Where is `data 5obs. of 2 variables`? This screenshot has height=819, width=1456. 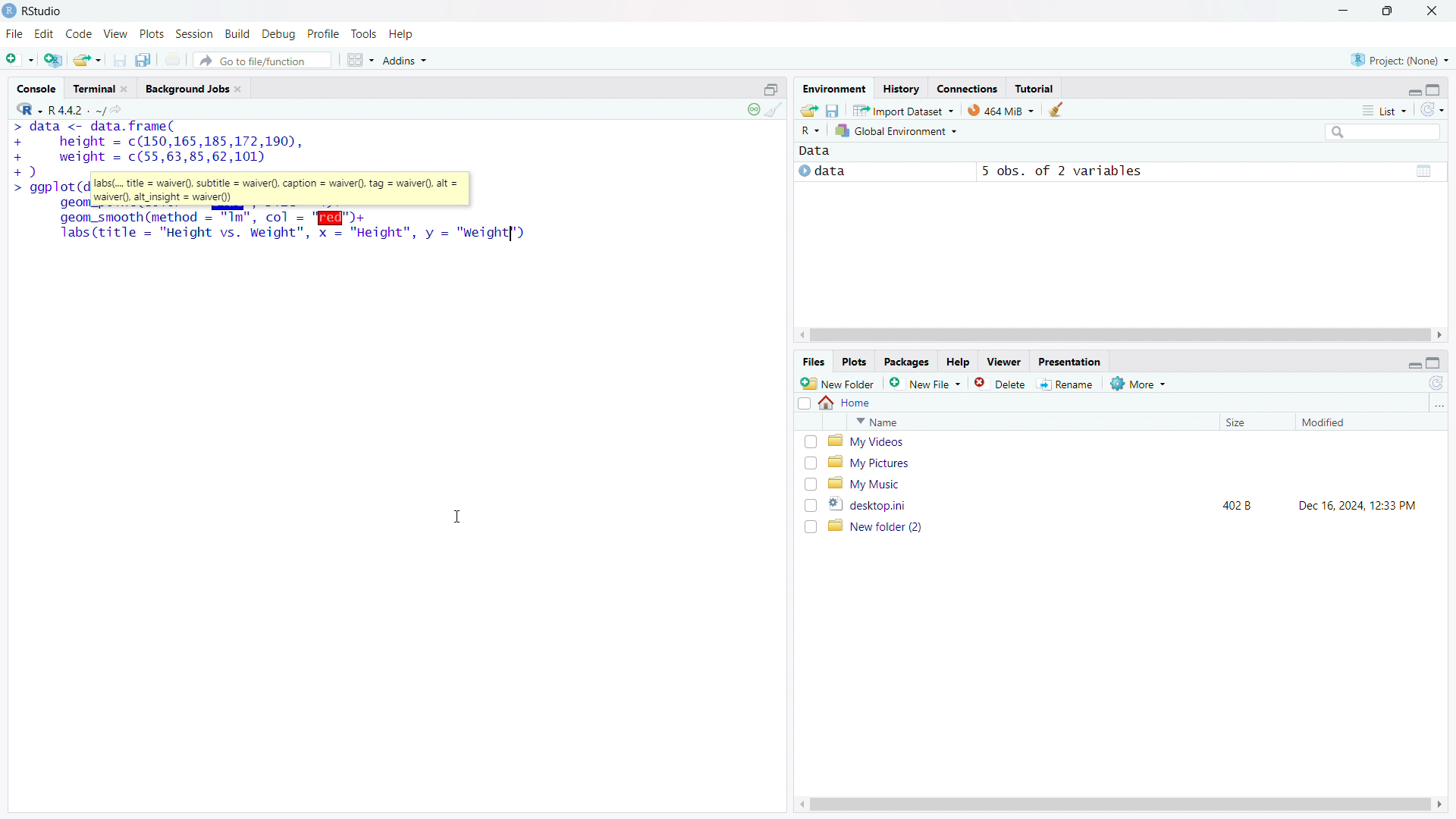
data 5obs. of 2 variables is located at coordinates (1119, 173).